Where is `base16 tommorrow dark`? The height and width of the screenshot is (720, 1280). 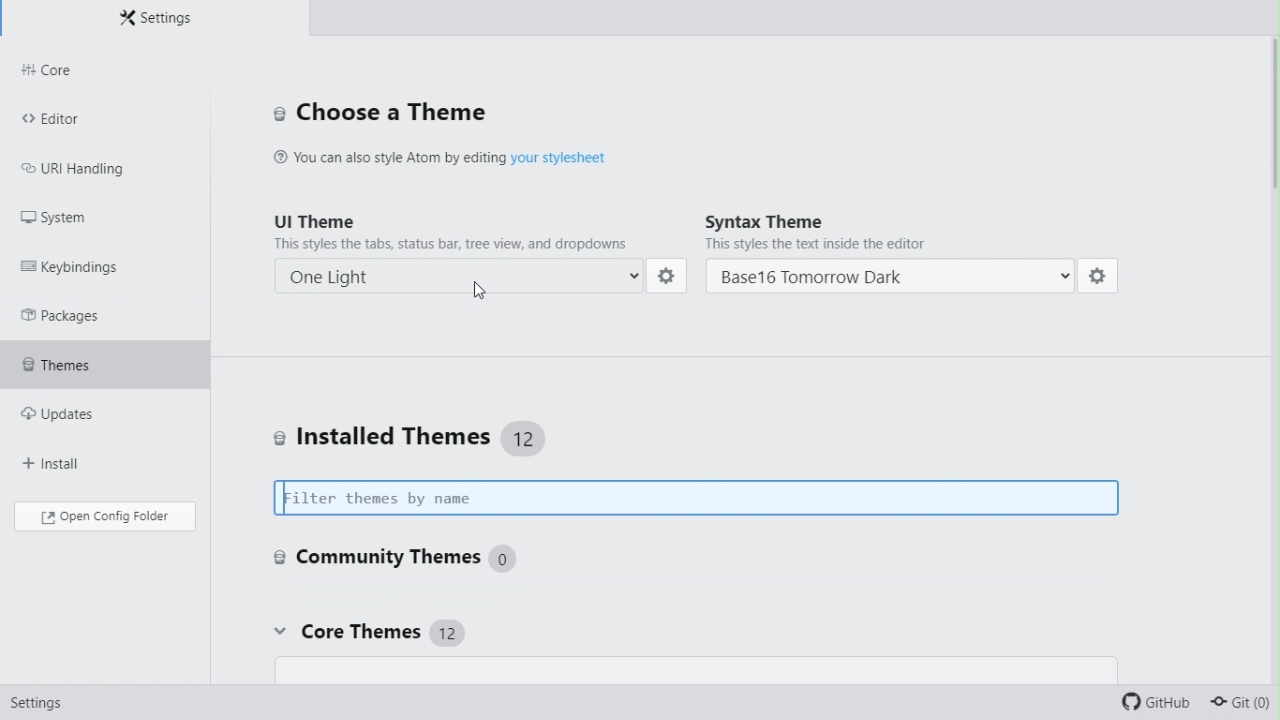 base16 tommorrow dark is located at coordinates (891, 278).